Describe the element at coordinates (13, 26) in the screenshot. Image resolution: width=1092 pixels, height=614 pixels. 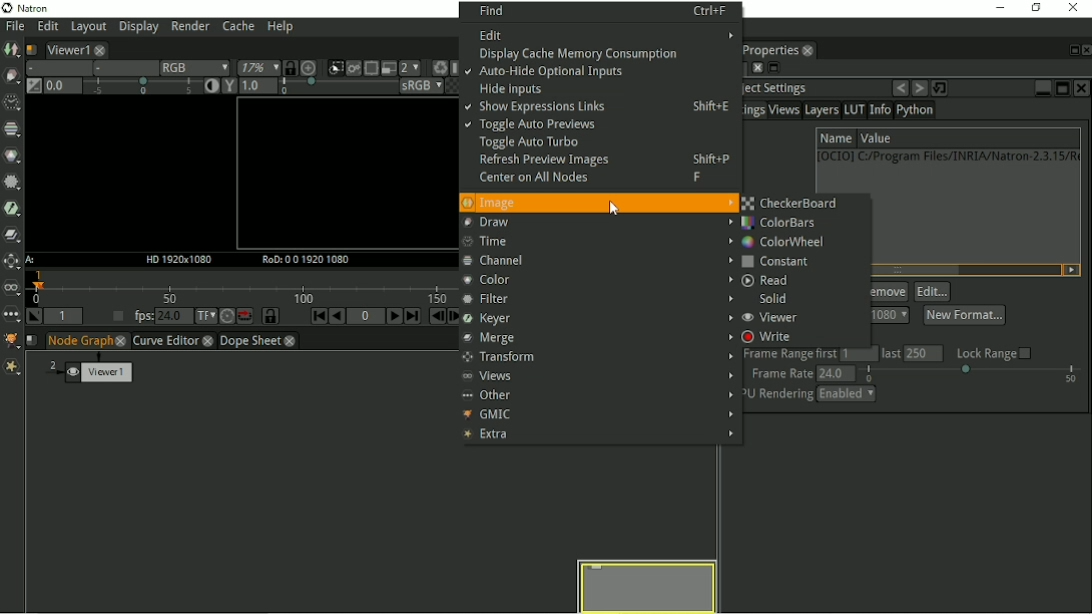
I see `File` at that location.